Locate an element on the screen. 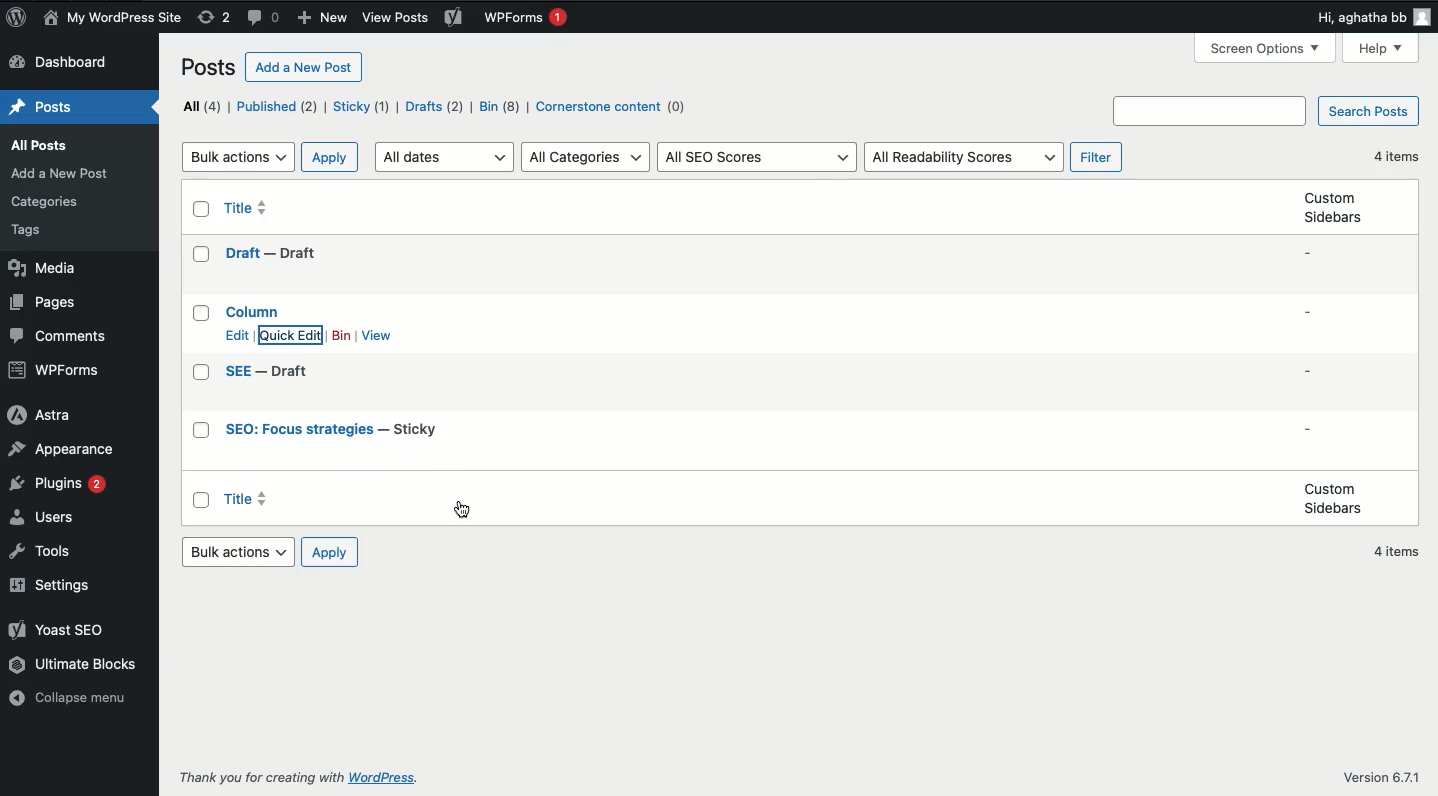  Title is located at coordinates (334, 437).